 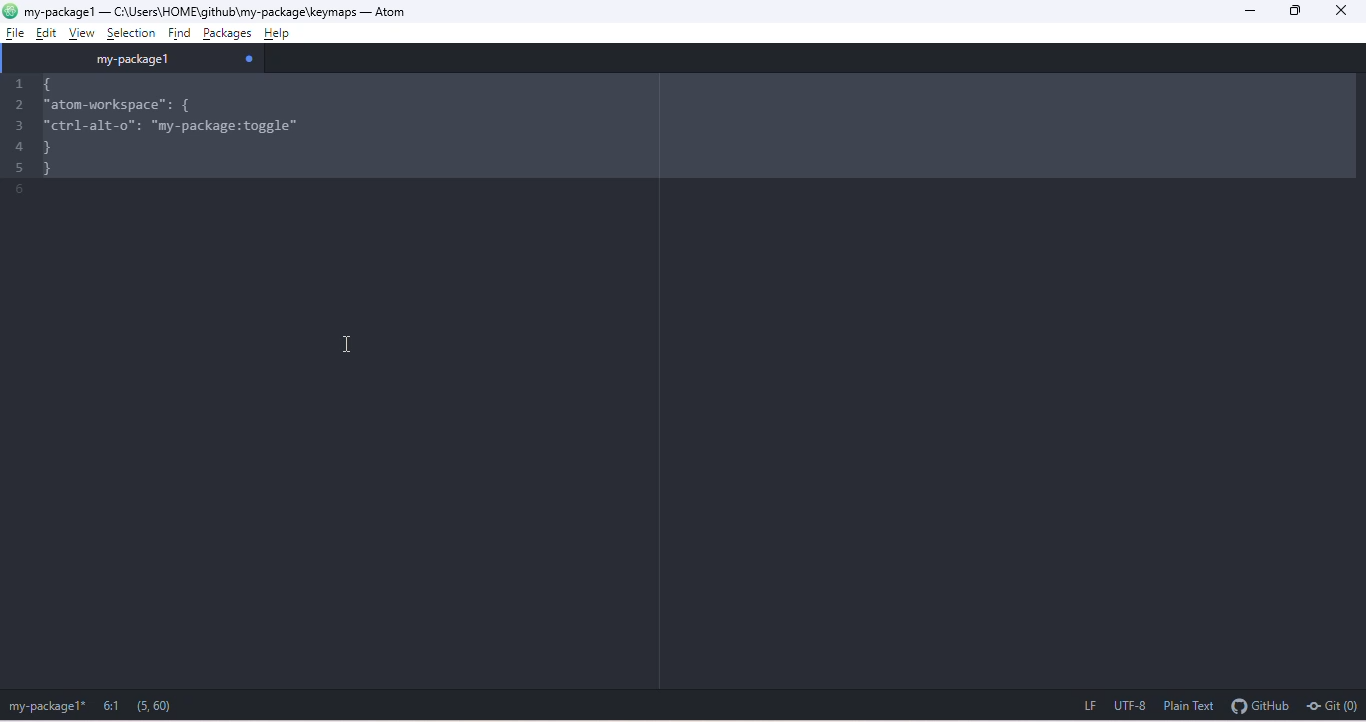 What do you see at coordinates (285, 30) in the screenshot?
I see `help` at bounding box center [285, 30].